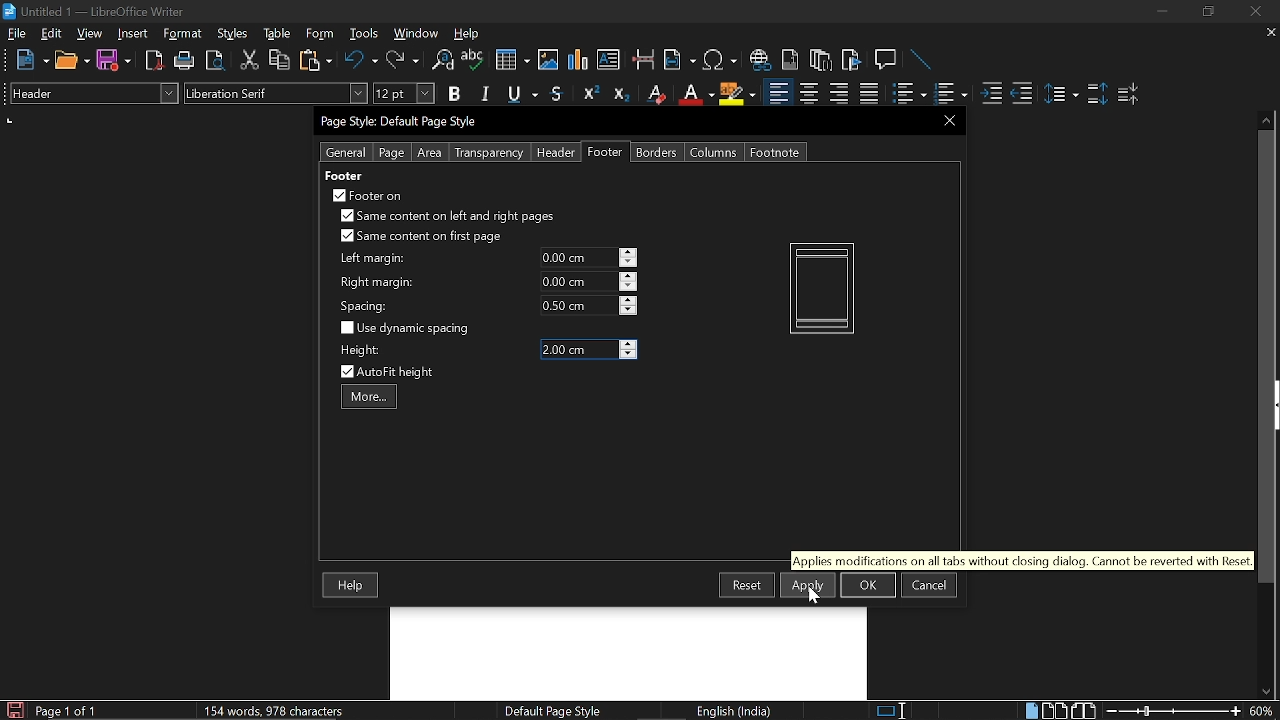 The image size is (1280, 720). What do you see at coordinates (888, 60) in the screenshot?
I see `Insert comment` at bounding box center [888, 60].